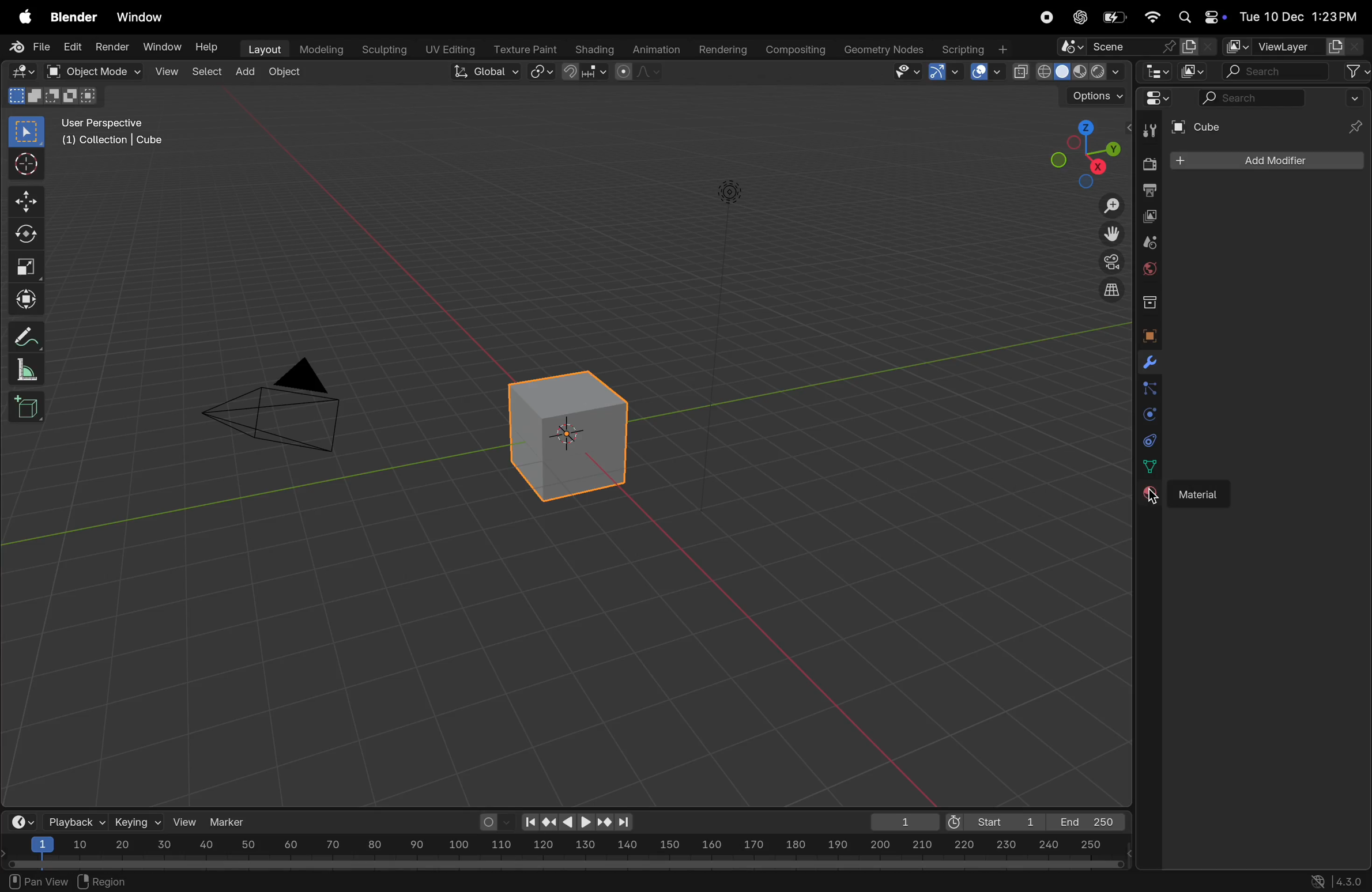  I want to click on camera, so click(1109, 262).